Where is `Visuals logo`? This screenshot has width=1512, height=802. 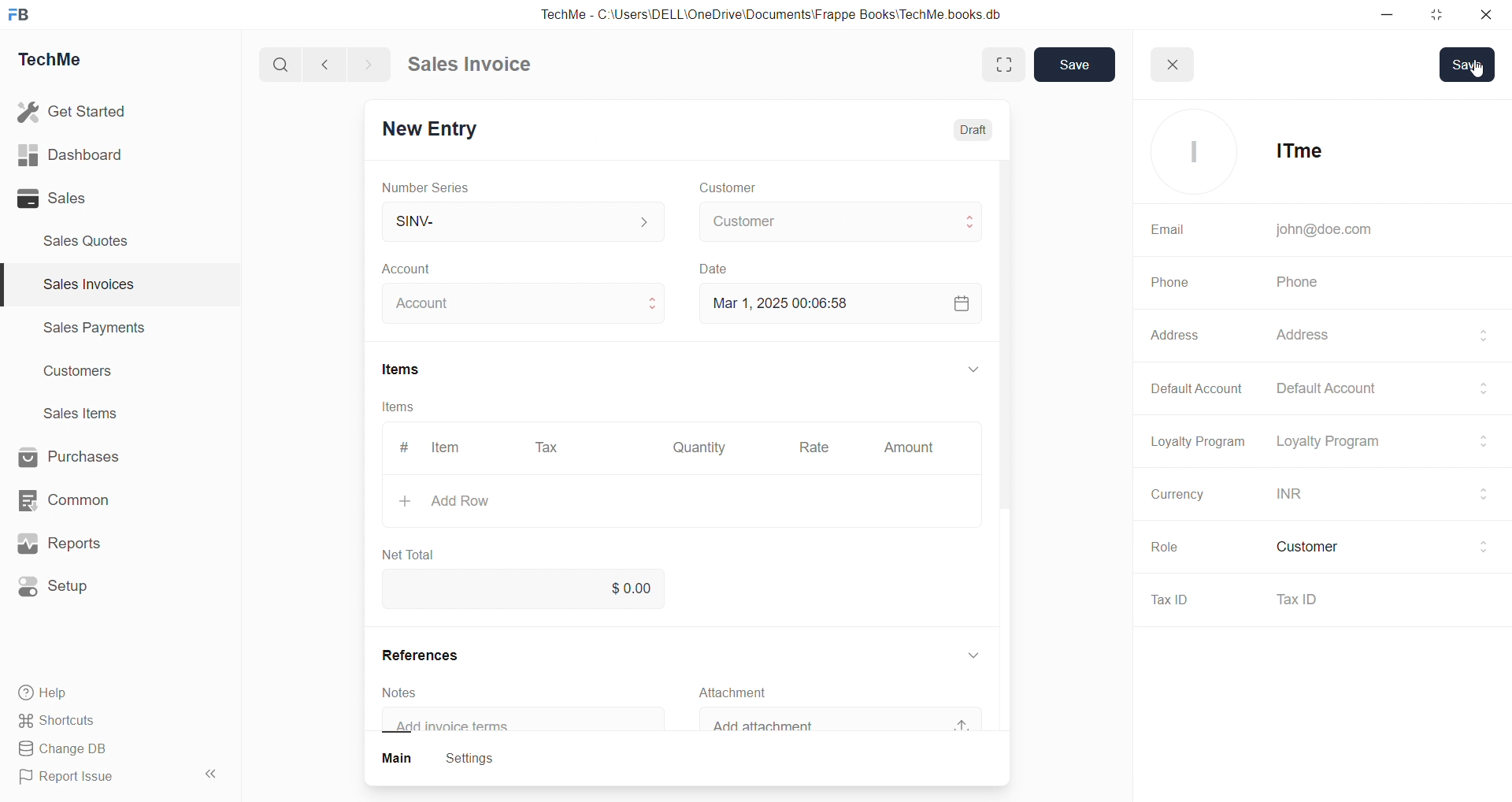 Visuals logo is located at coordinates (1190, 152).